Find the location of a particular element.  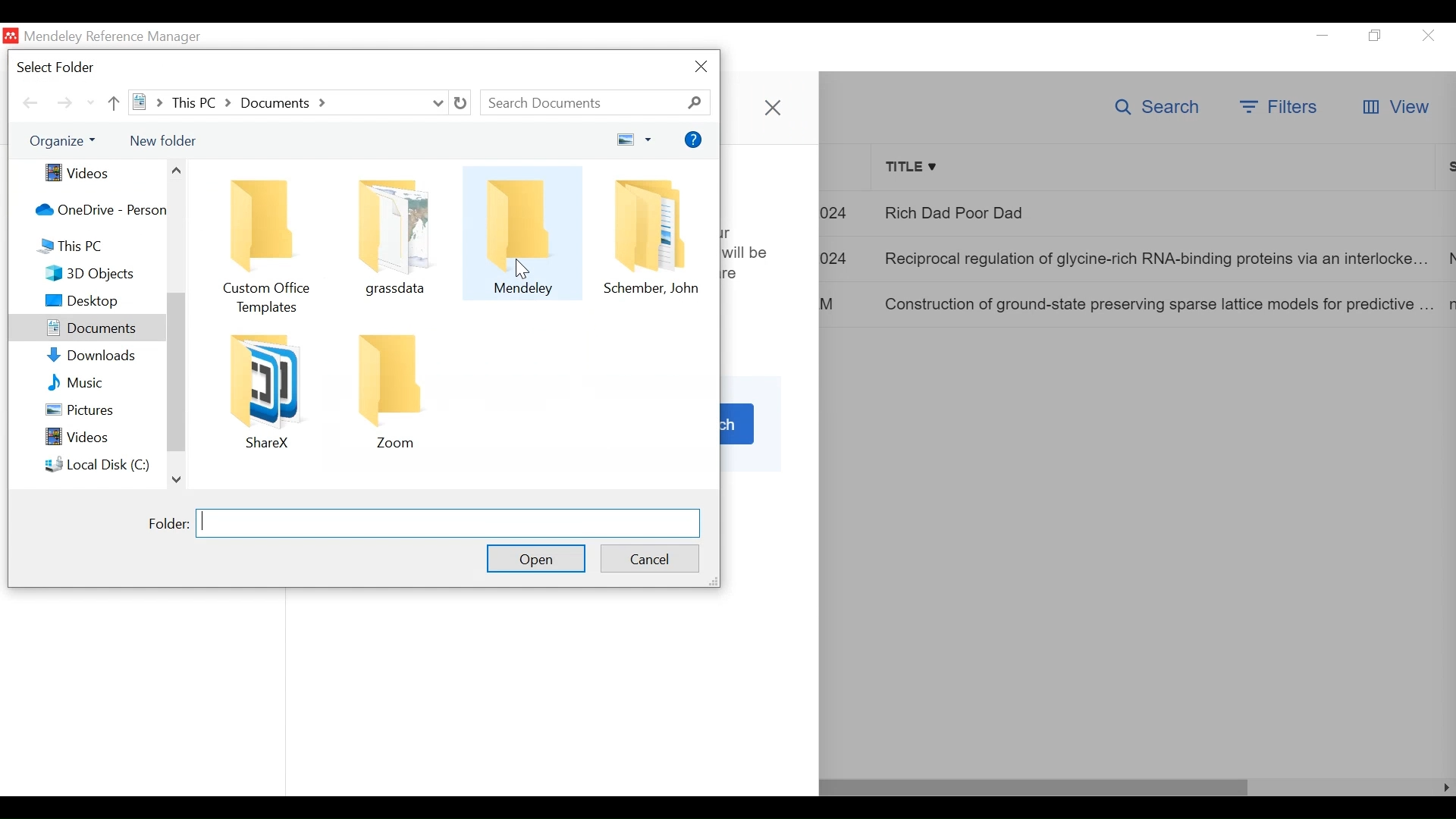

Organize is located at coordinates (63, 141).